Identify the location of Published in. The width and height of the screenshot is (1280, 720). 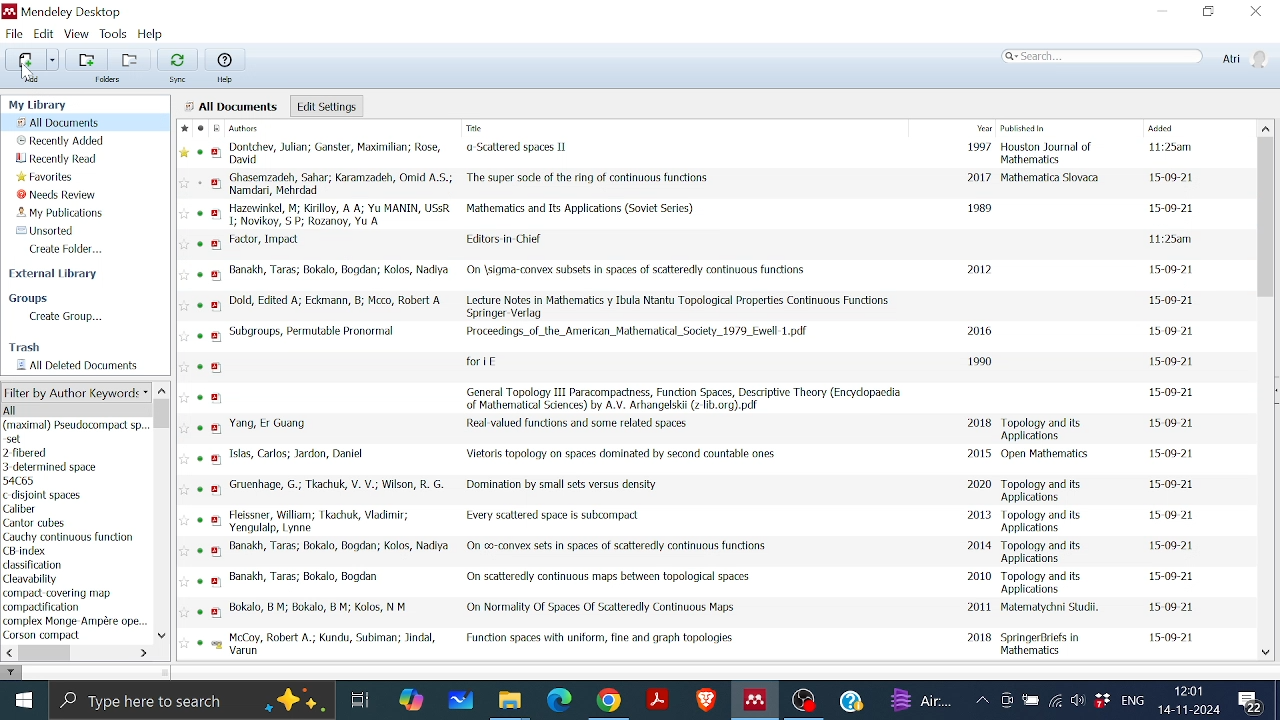
(1043, 644).